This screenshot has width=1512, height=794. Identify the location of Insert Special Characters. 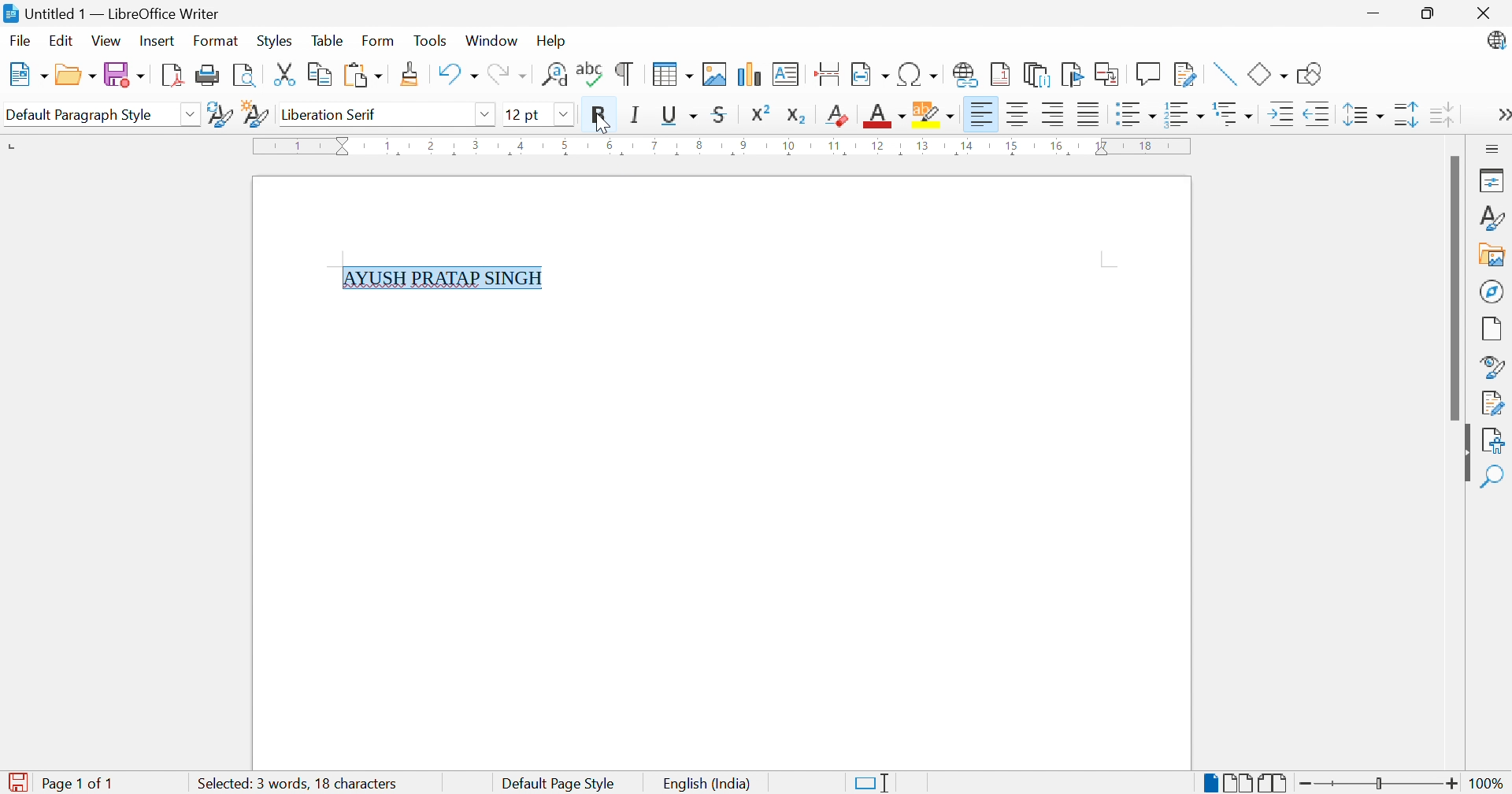
(918, 74).